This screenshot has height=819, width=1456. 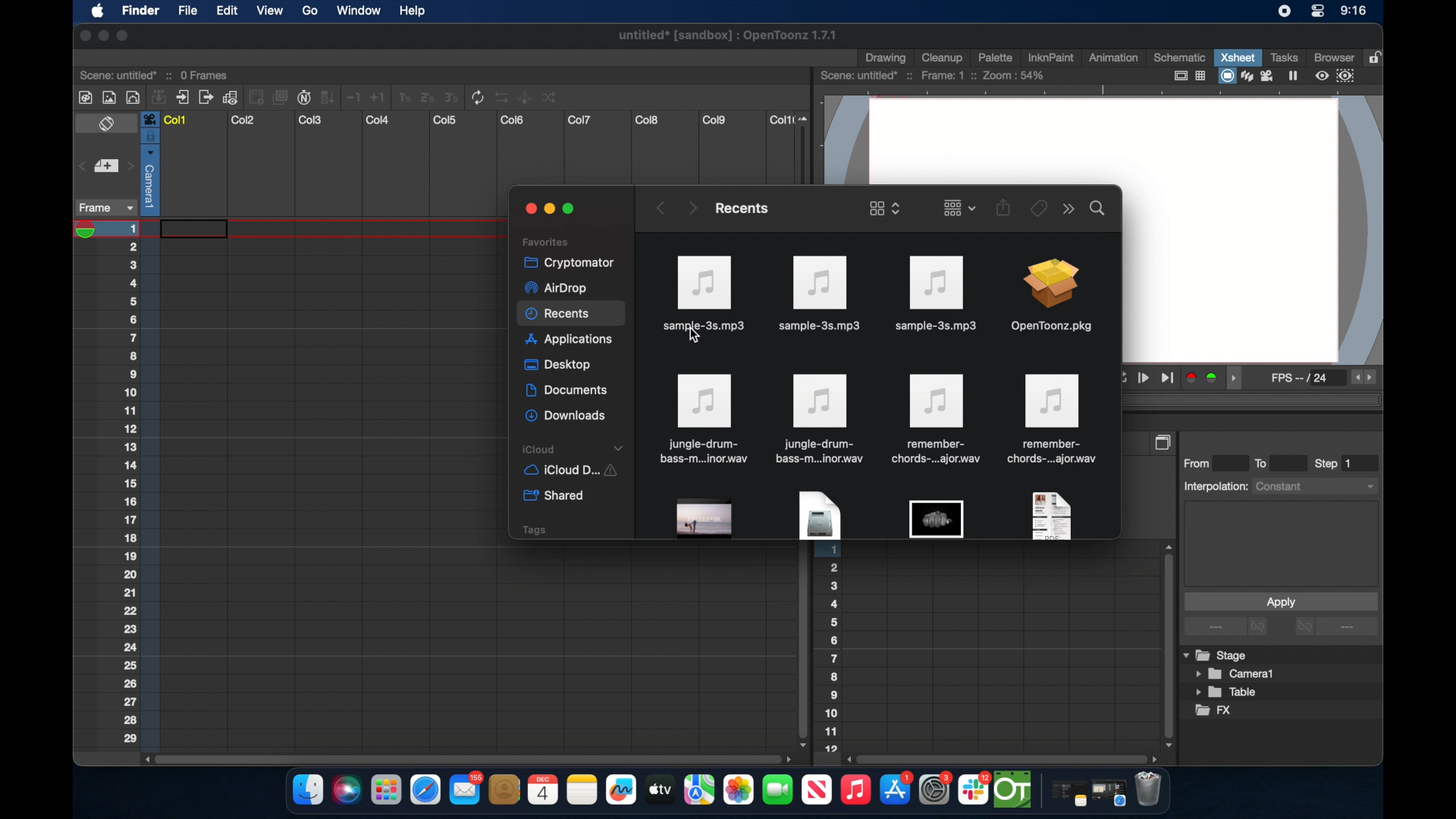 I want to click on scroll box, so click(x=1166, y=645).